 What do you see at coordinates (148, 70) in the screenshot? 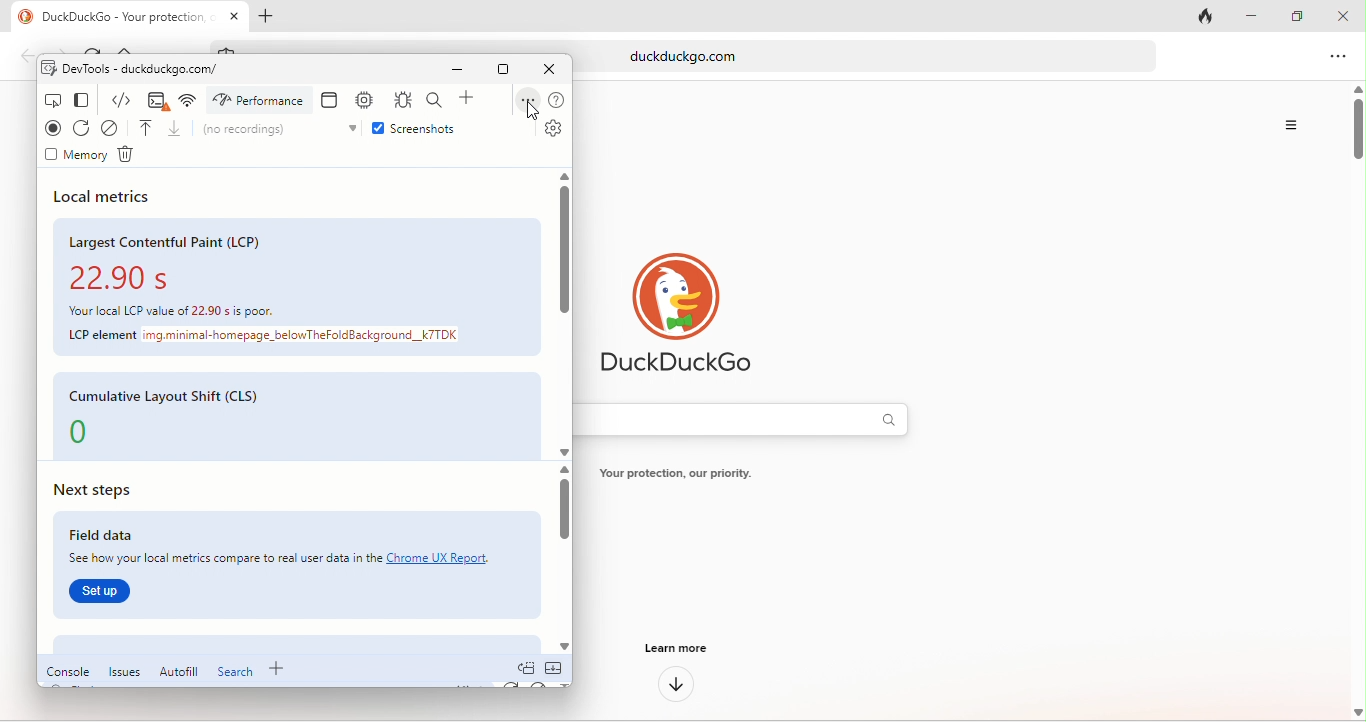
I see `dev tools-duckduckgo.com/` at bounding box center [148, 70].